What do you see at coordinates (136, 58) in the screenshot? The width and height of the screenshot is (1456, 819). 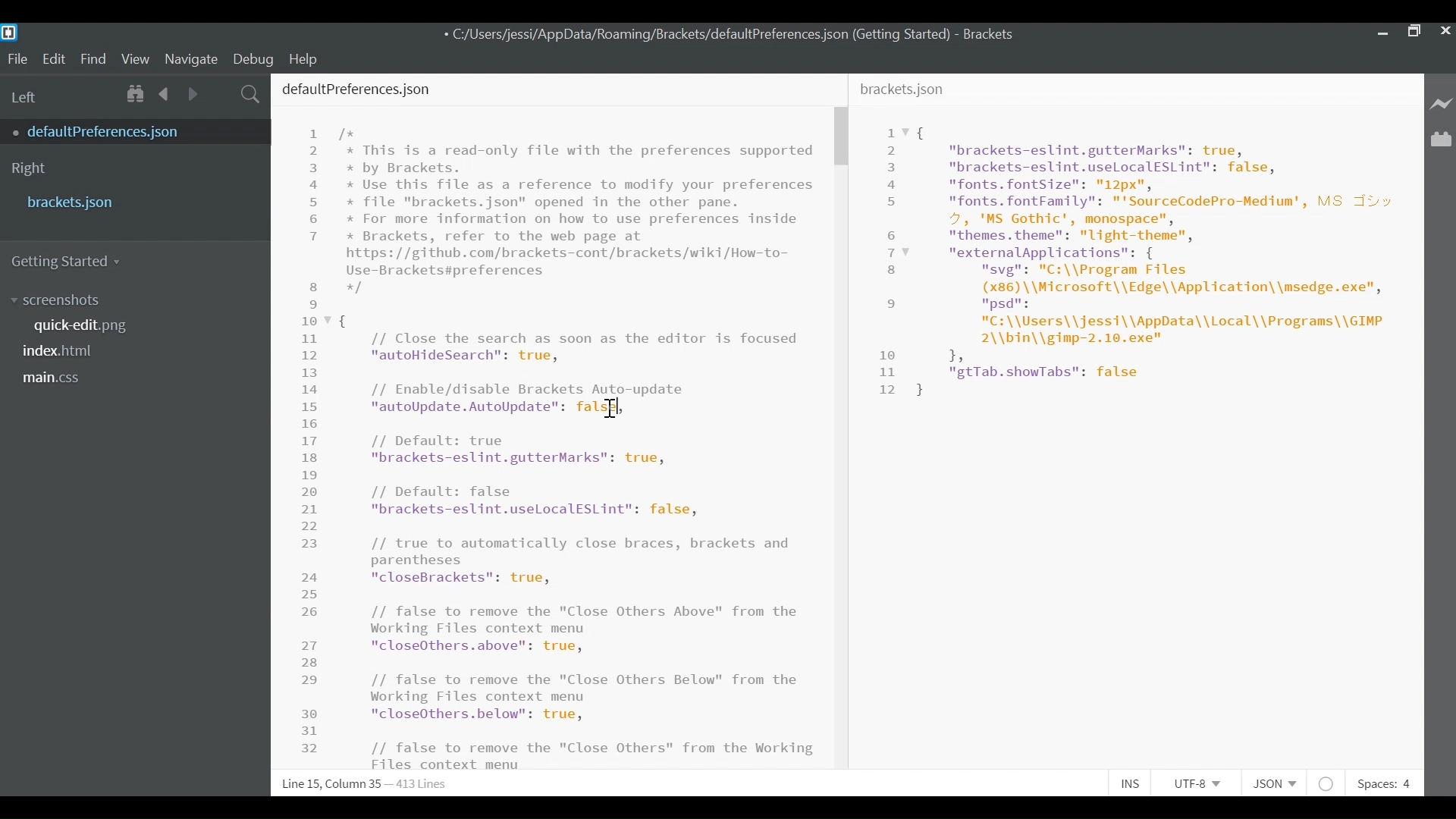 I see `View` at bounding box center [136, 58].